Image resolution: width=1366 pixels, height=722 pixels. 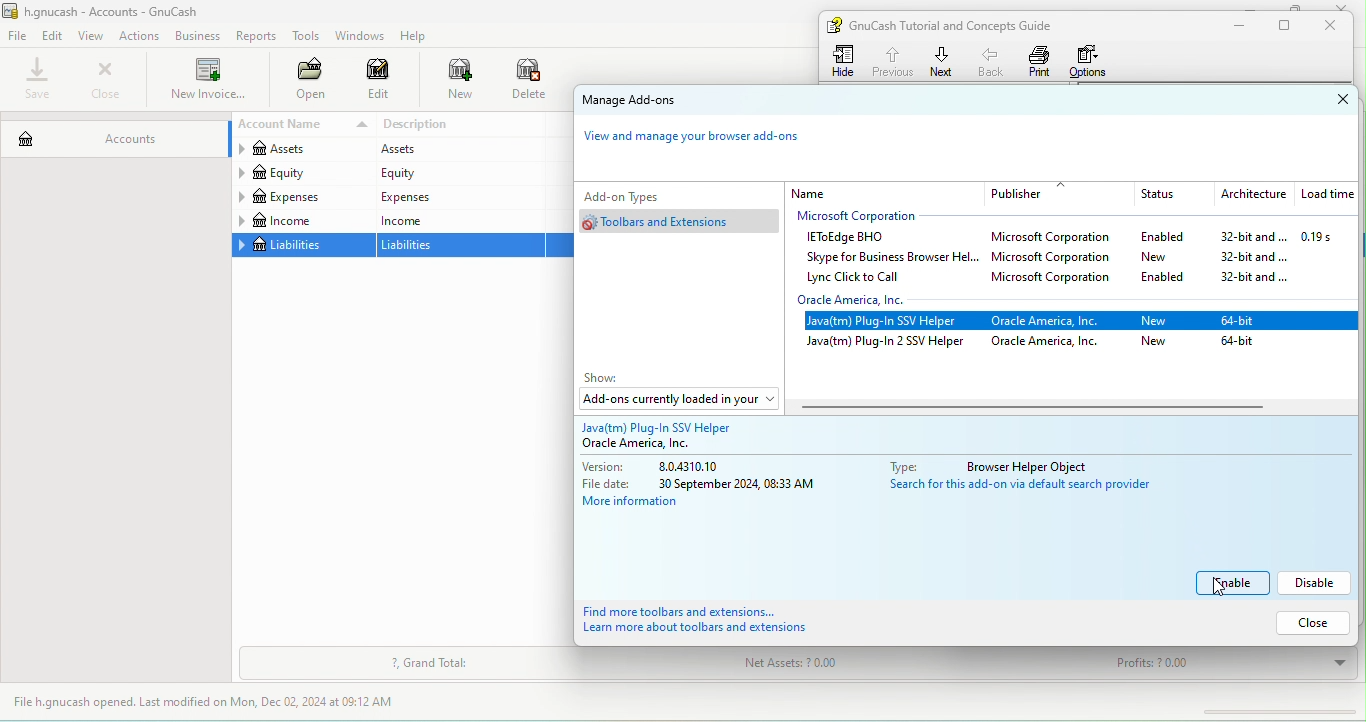 I want to click on h. gnucash-accounts-gnu cash, so click(x=125, y=10).